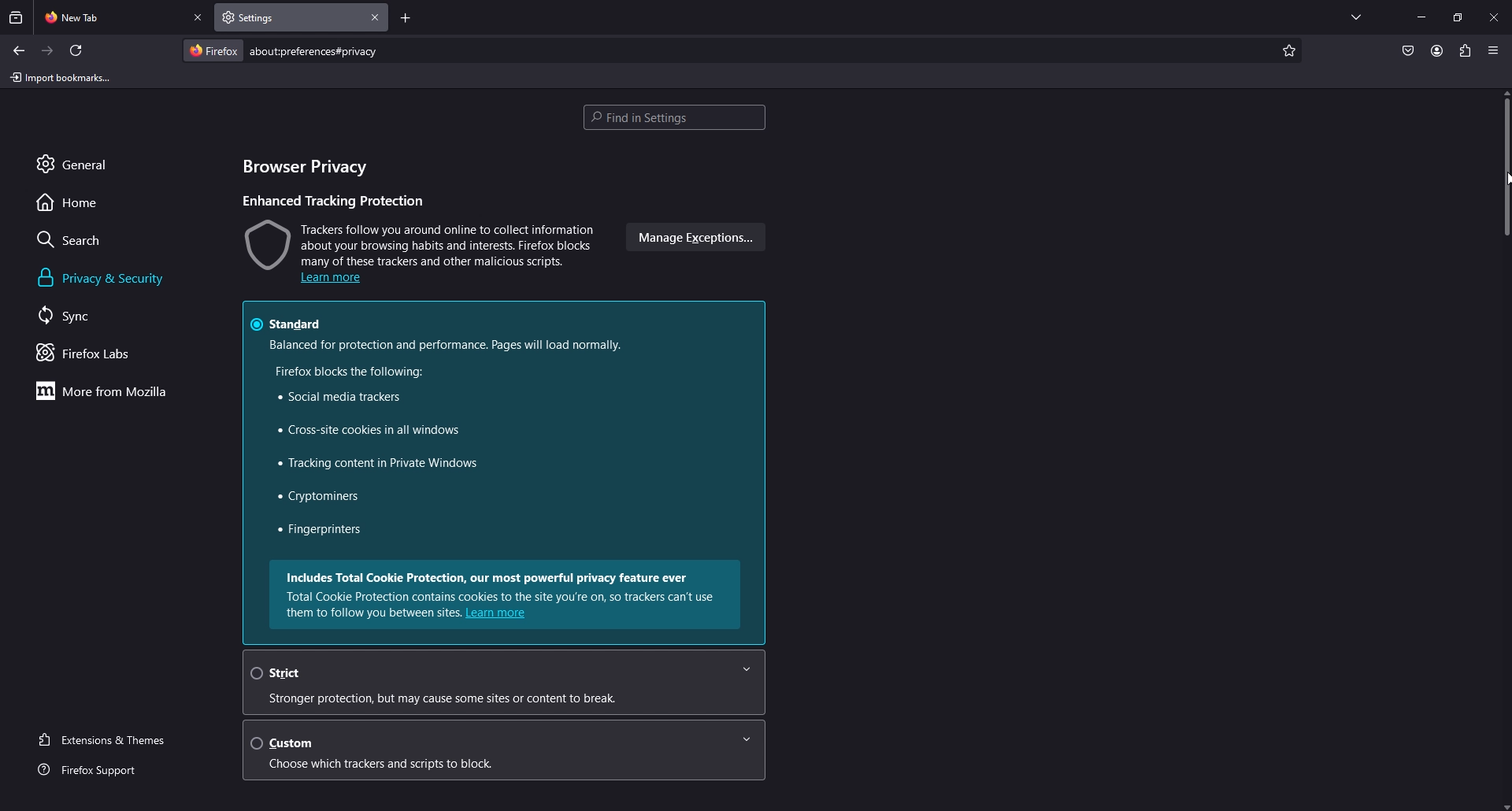 The width and height of the screenshot is (1512, 811). Describe the element at coordinates (335, 398) in the screenshot. I see `« Social media trackers` at that location.